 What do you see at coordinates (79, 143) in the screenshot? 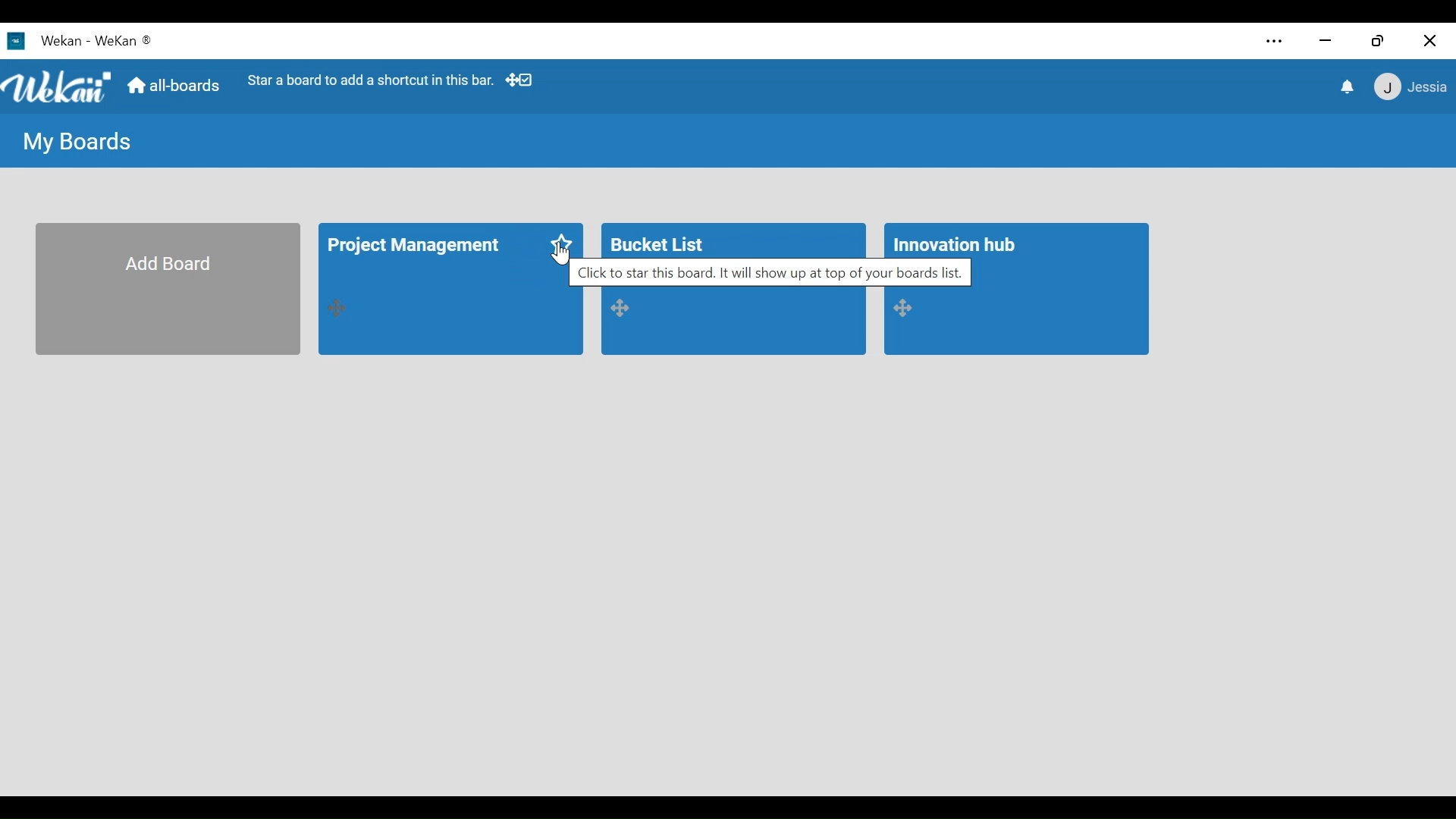
I see `My Boards` at bounding box center [79, 143].